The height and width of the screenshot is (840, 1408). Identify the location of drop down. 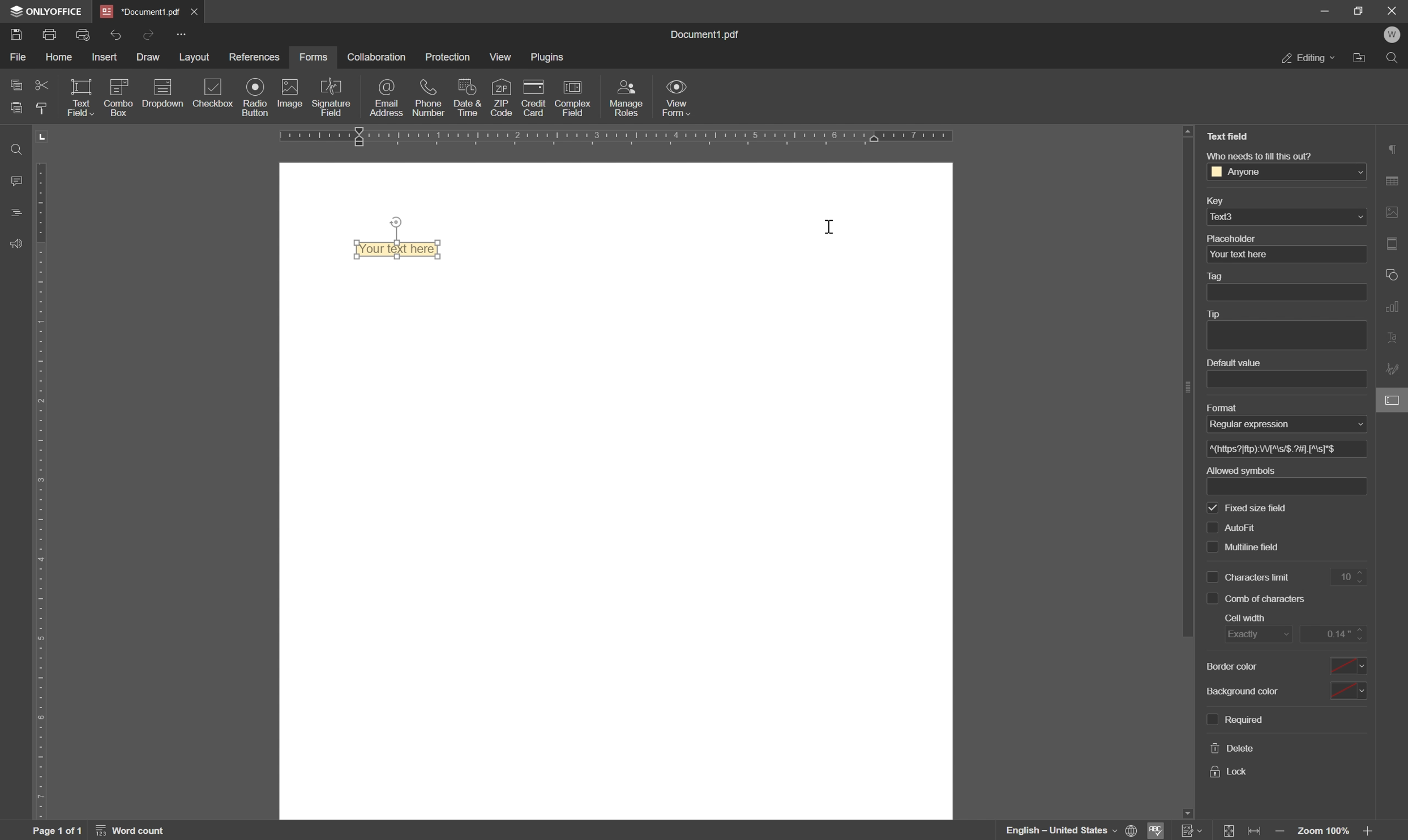
(1357, 173).